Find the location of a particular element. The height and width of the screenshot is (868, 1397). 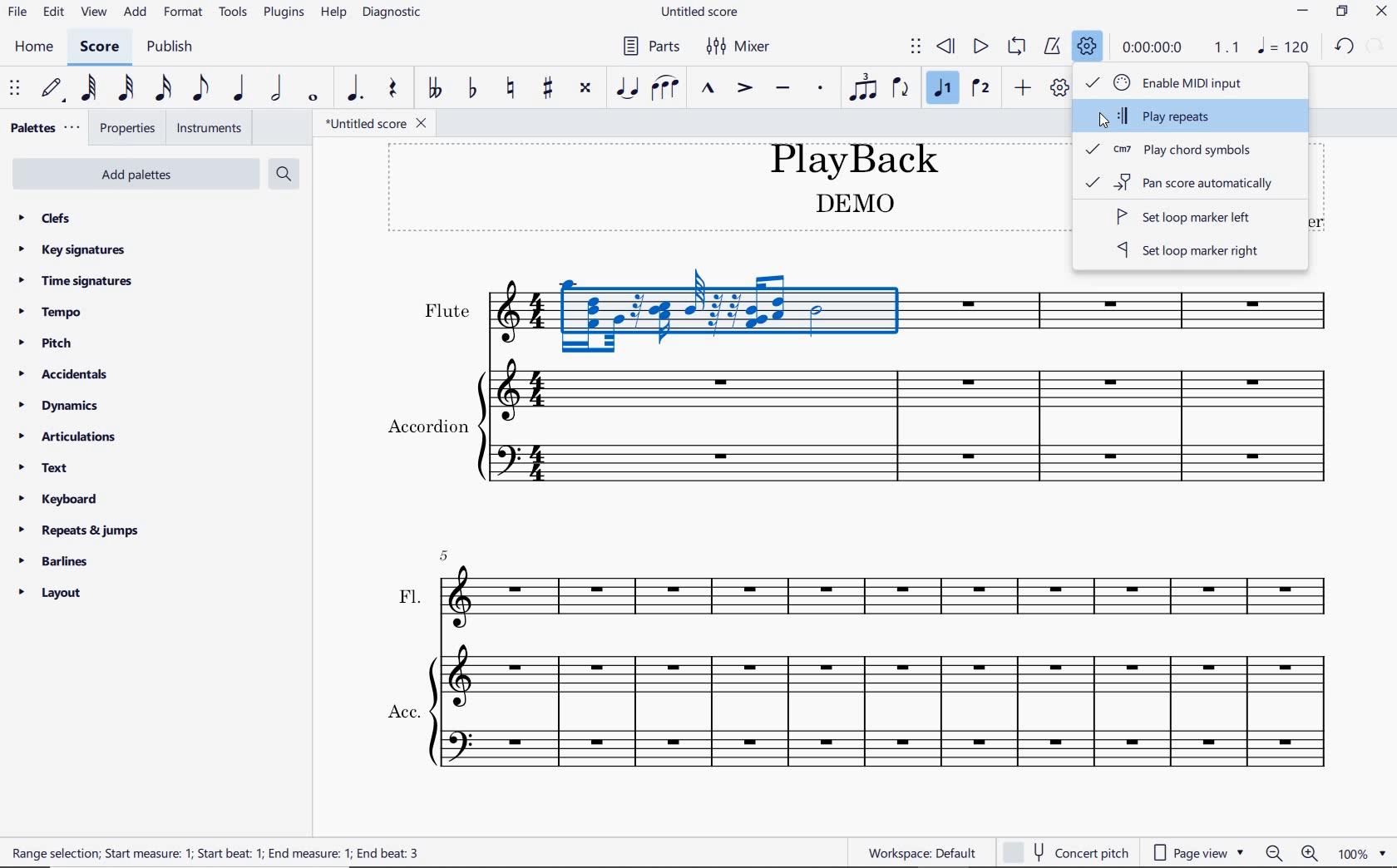

accent is located at coordinates (743, 87).